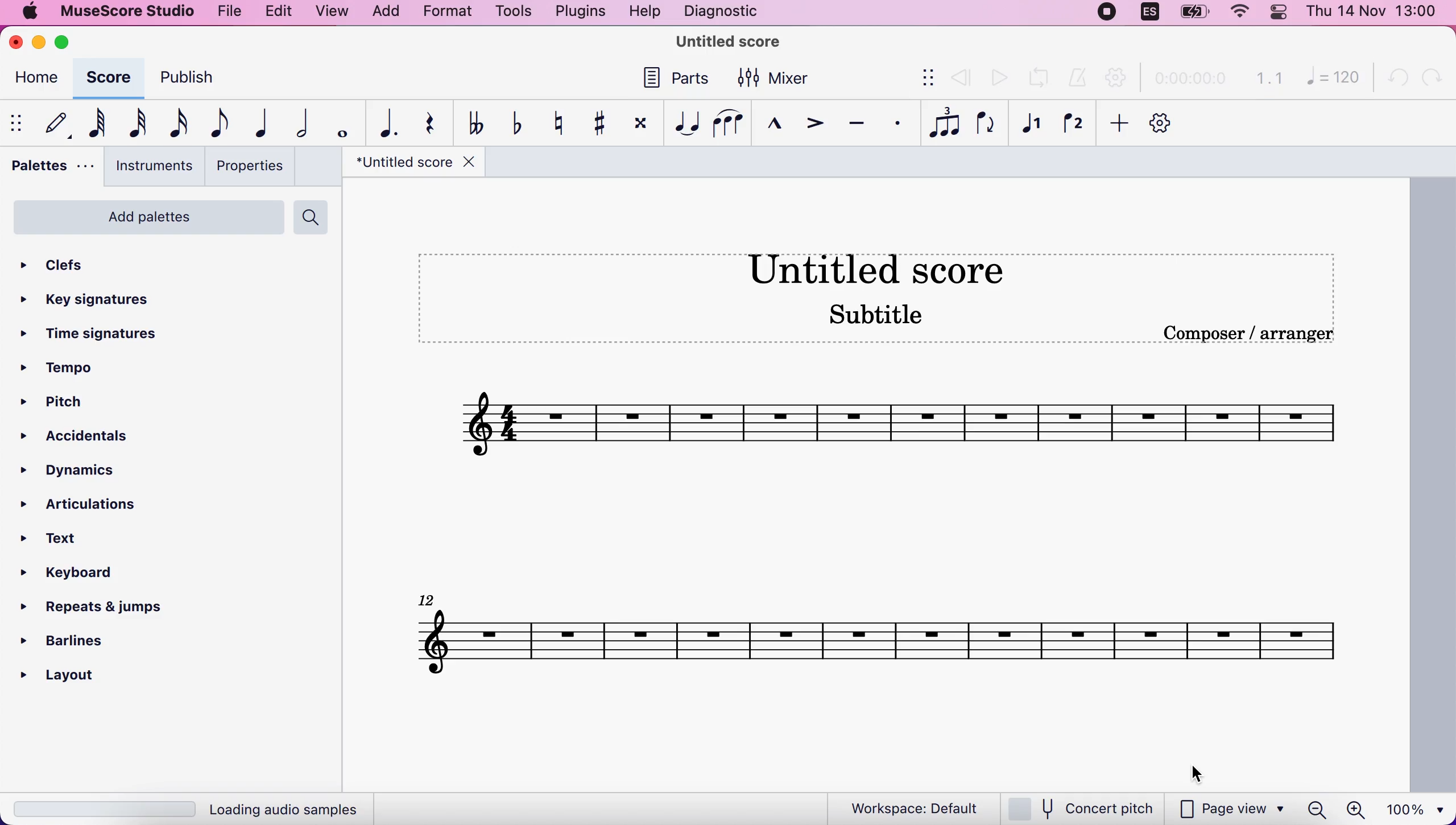 The height and width of the screenshot is (825, 1456). Describe the element at coordinates (1317, 808) in the screenshot. I see `zoom out` at that location.